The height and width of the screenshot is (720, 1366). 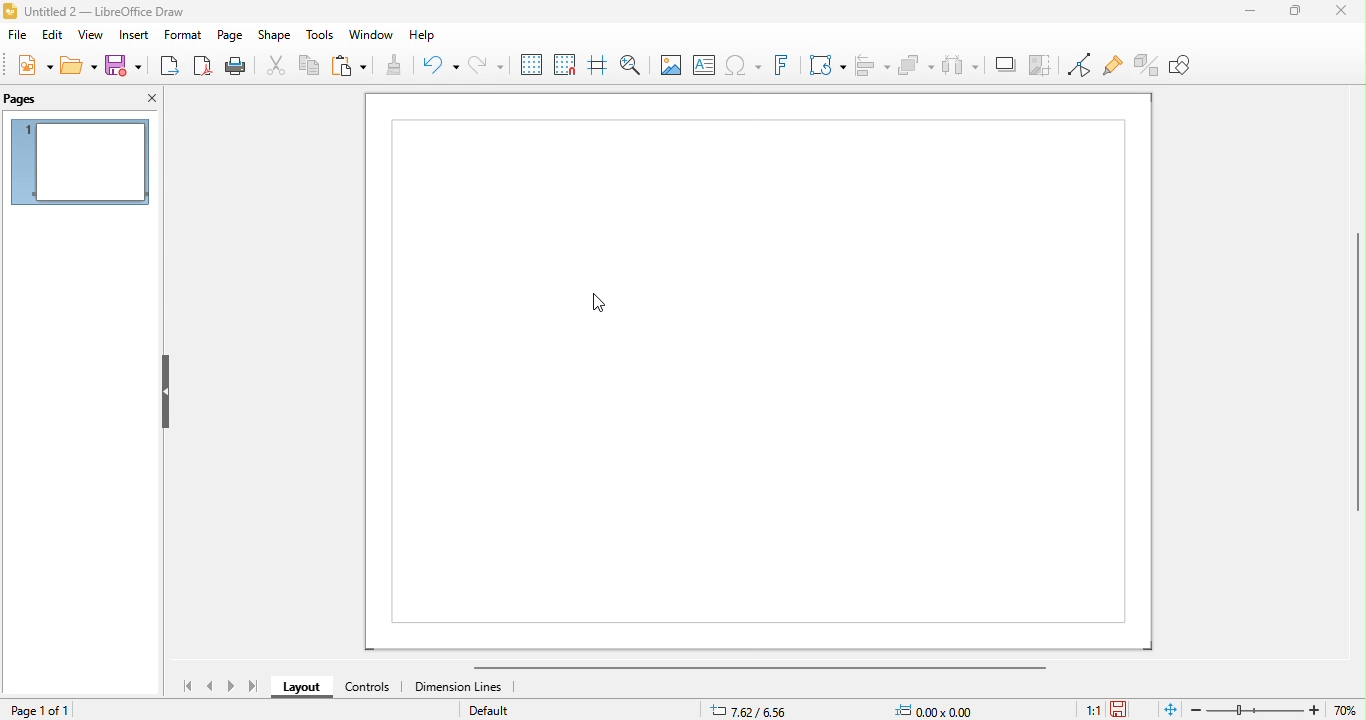 I want to click on cursor, so click(x=598, y=302).